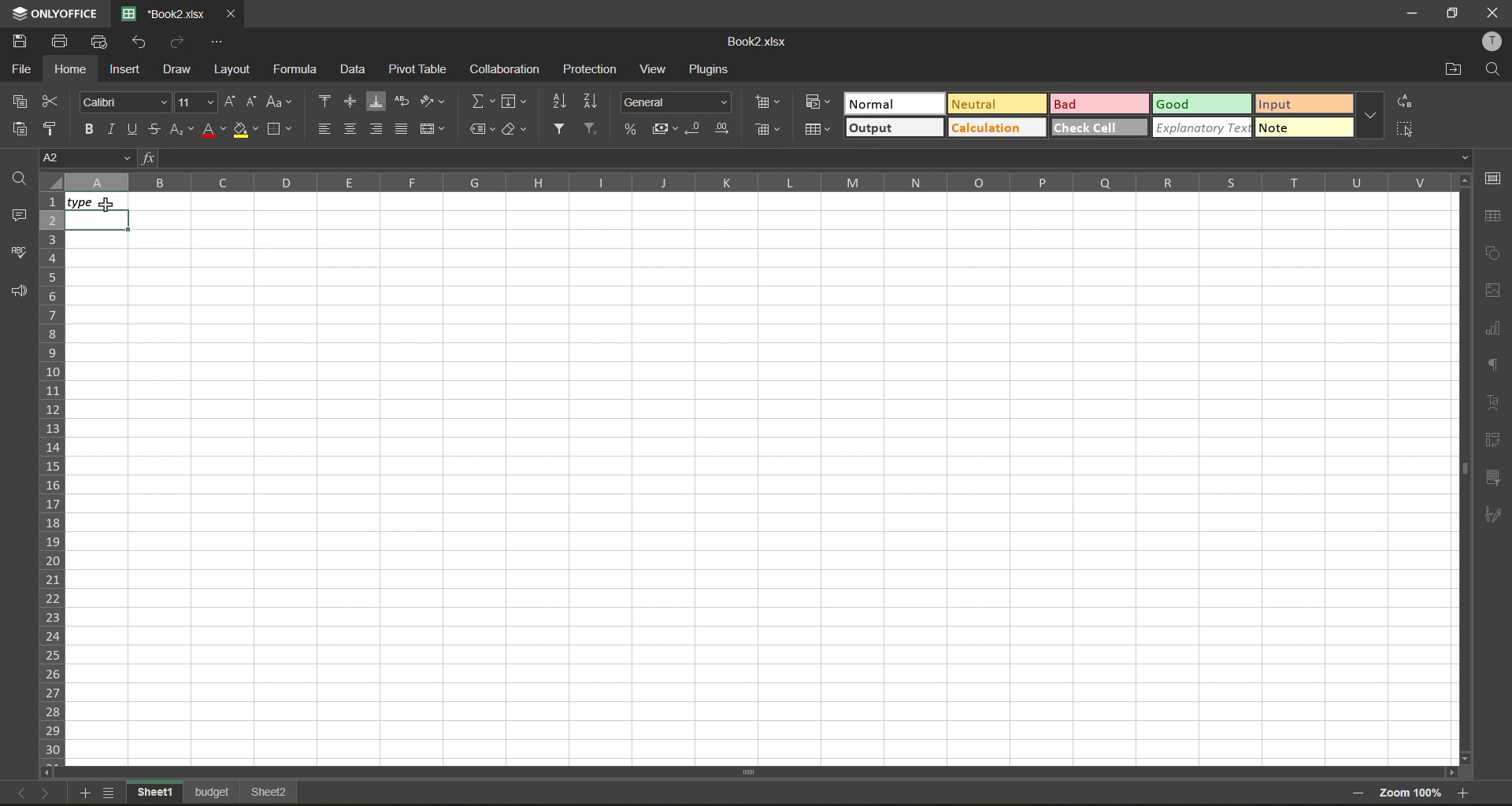 The height and width of the screenshot is (806, 1512). I want to click on named ranges, so click(484, 130).